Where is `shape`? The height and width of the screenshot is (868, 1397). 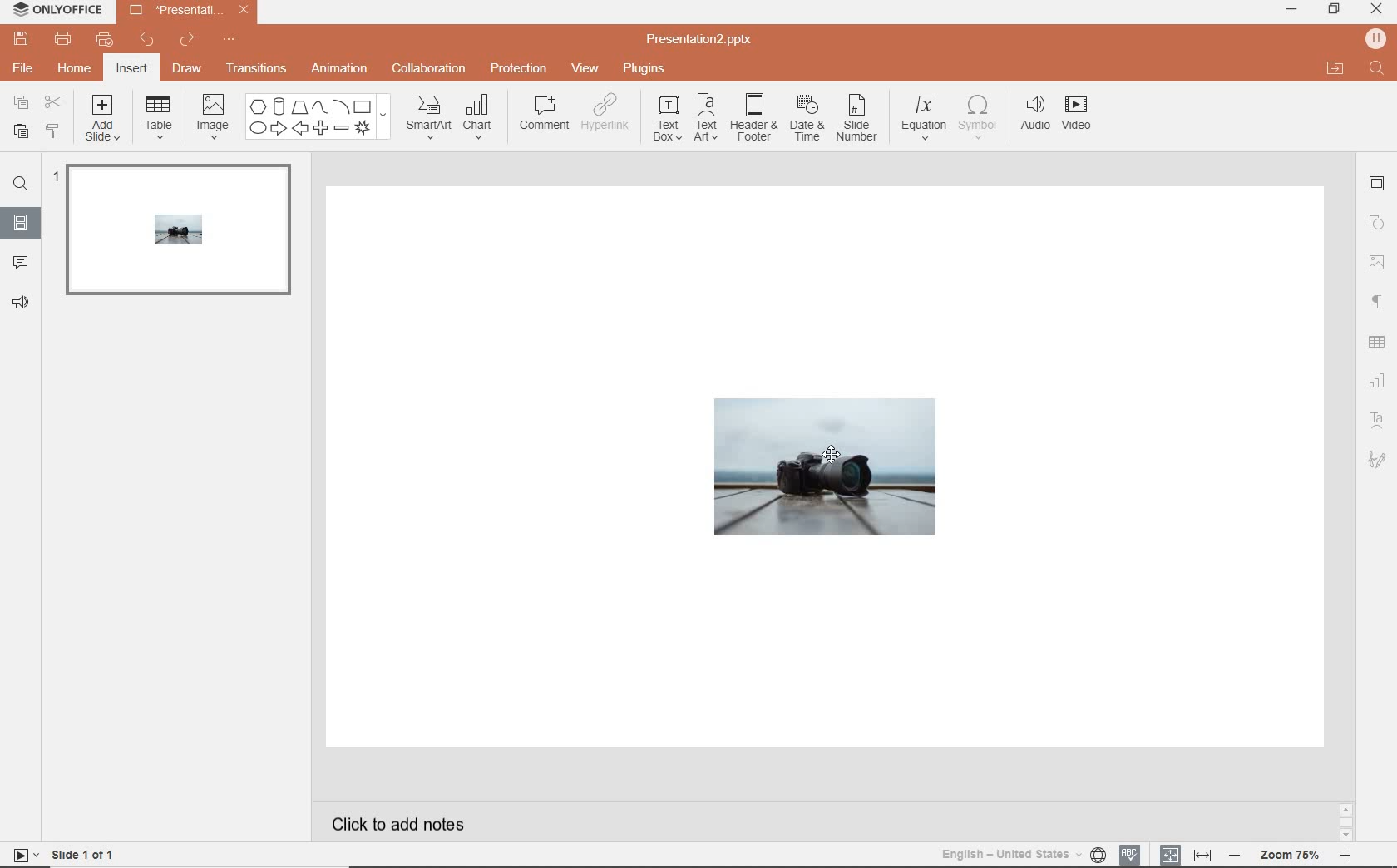 shape is located at coordinates (827, 467).